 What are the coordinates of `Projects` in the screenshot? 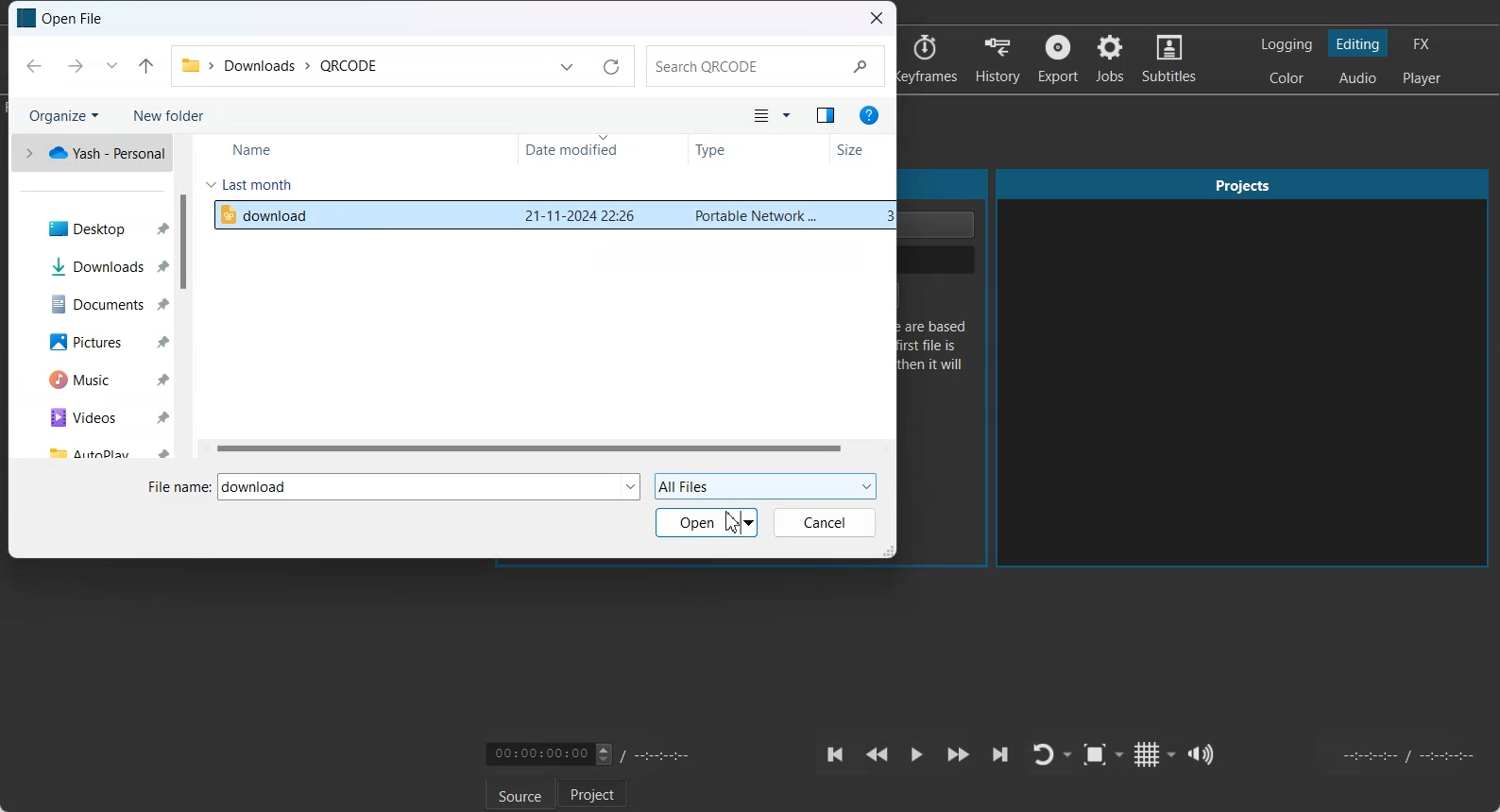 It's located at (1242, 366).